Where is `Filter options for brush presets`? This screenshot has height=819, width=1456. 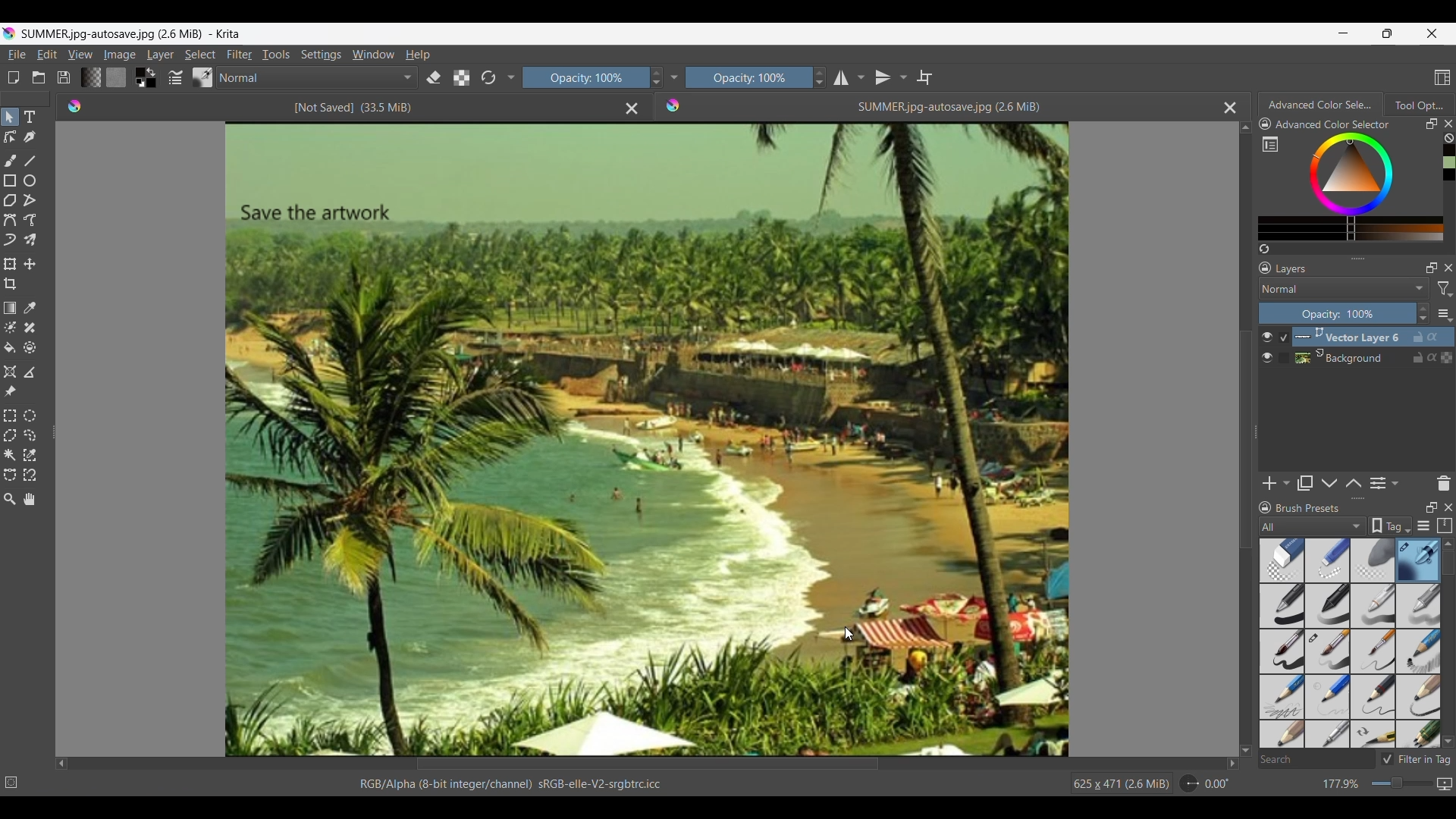
Filter options for brush presets is located at coordinates (1313, 526).